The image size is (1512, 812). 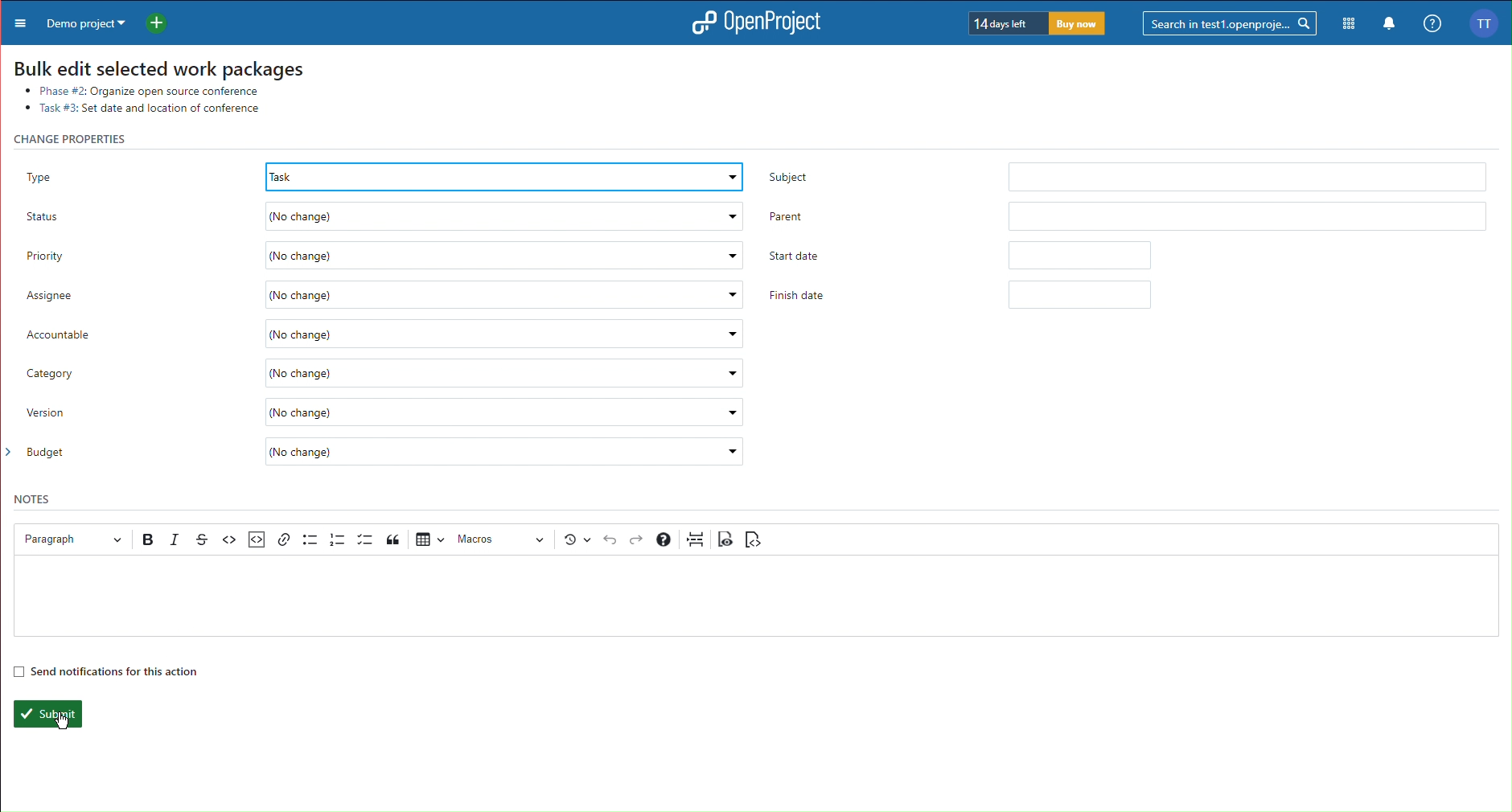 What do you see at coordinates (381, 218) in the screenshot?
I see `Status` at bounding box center [381, 218].